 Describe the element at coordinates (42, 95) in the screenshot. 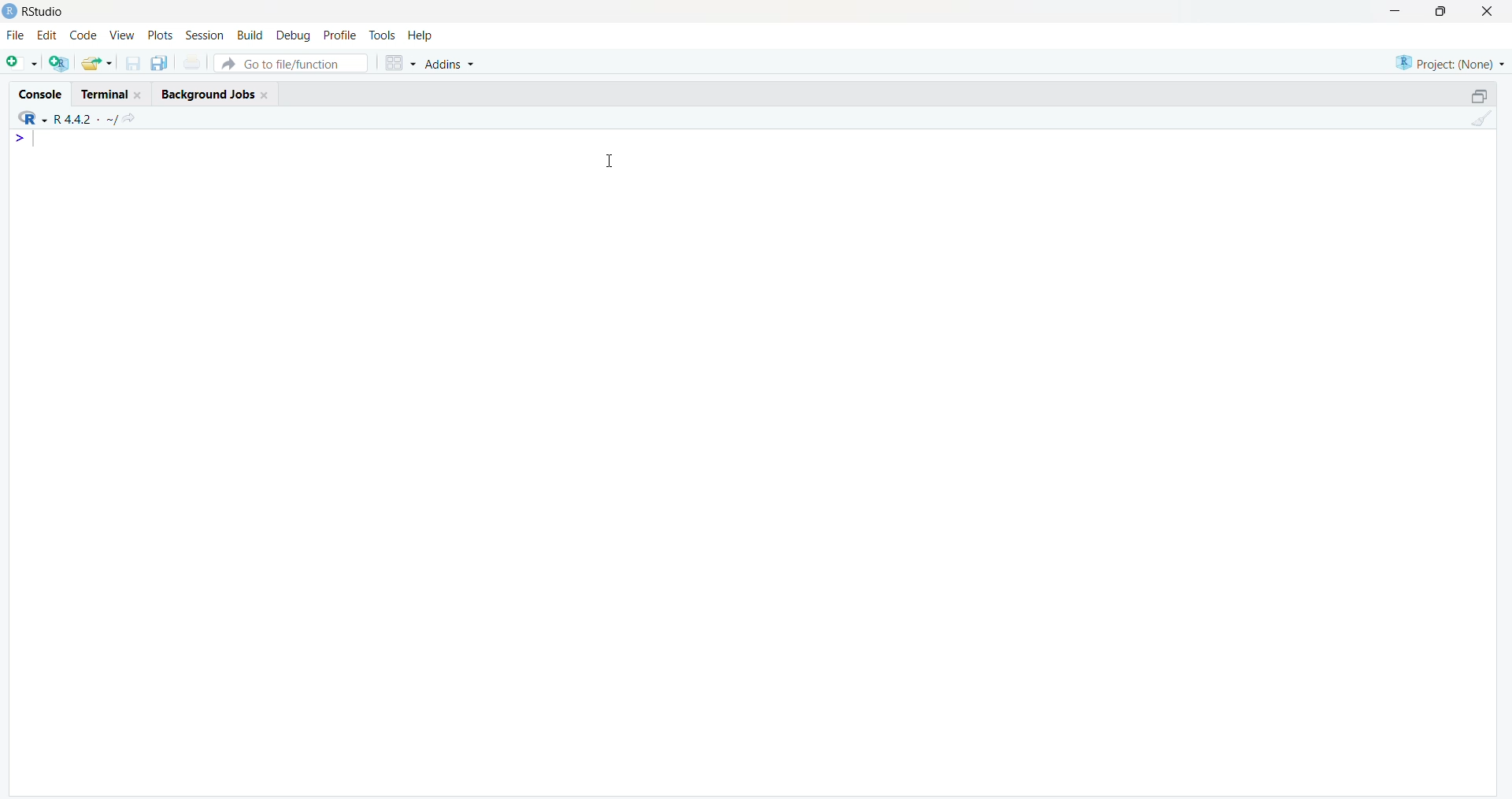

I see `console` at that location.